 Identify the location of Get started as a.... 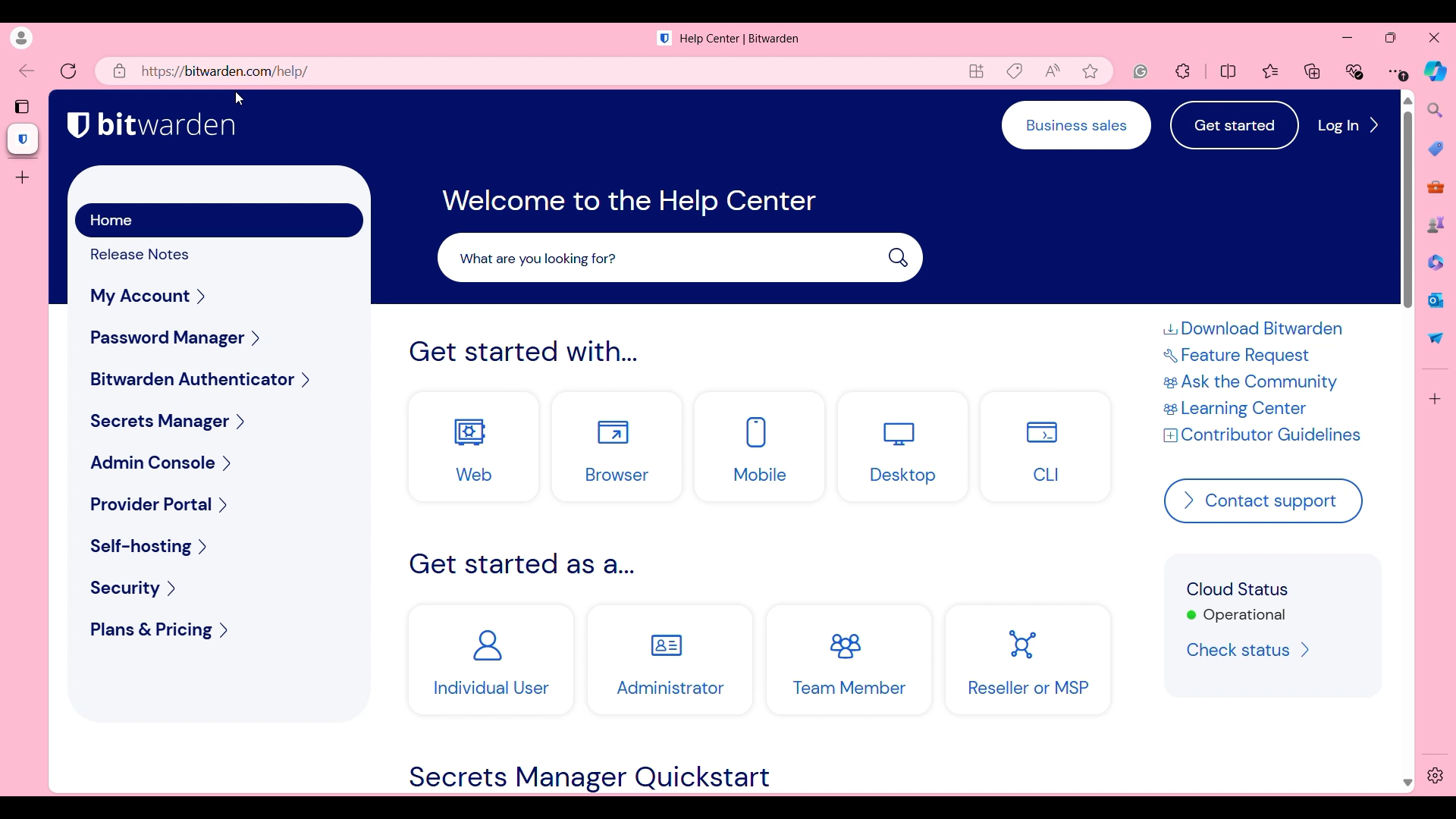
(523, 563).